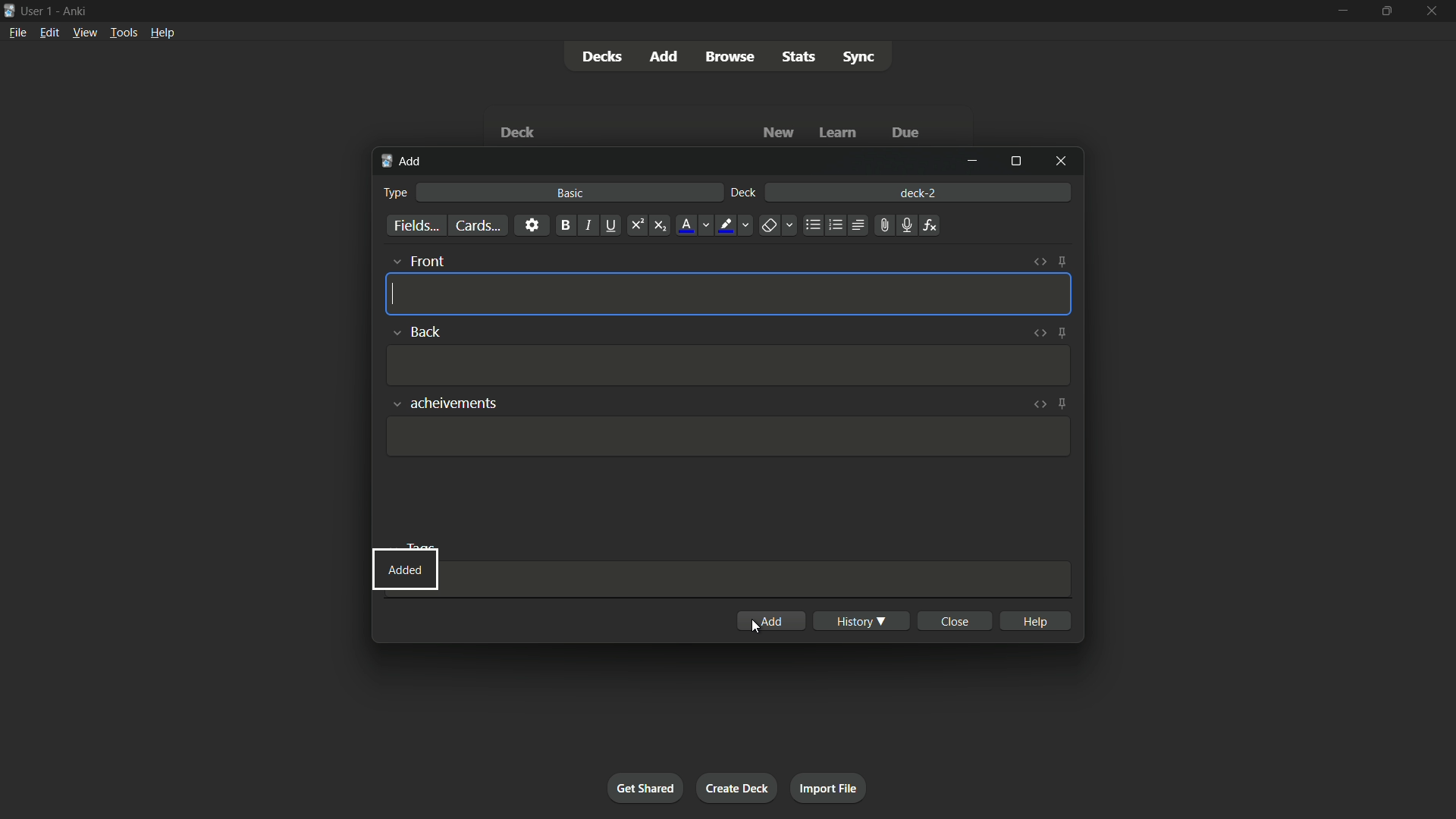  What do you see at coordinates (836, 133) in the screenshot?
I see `Learn` at bounding box center [836, 133].